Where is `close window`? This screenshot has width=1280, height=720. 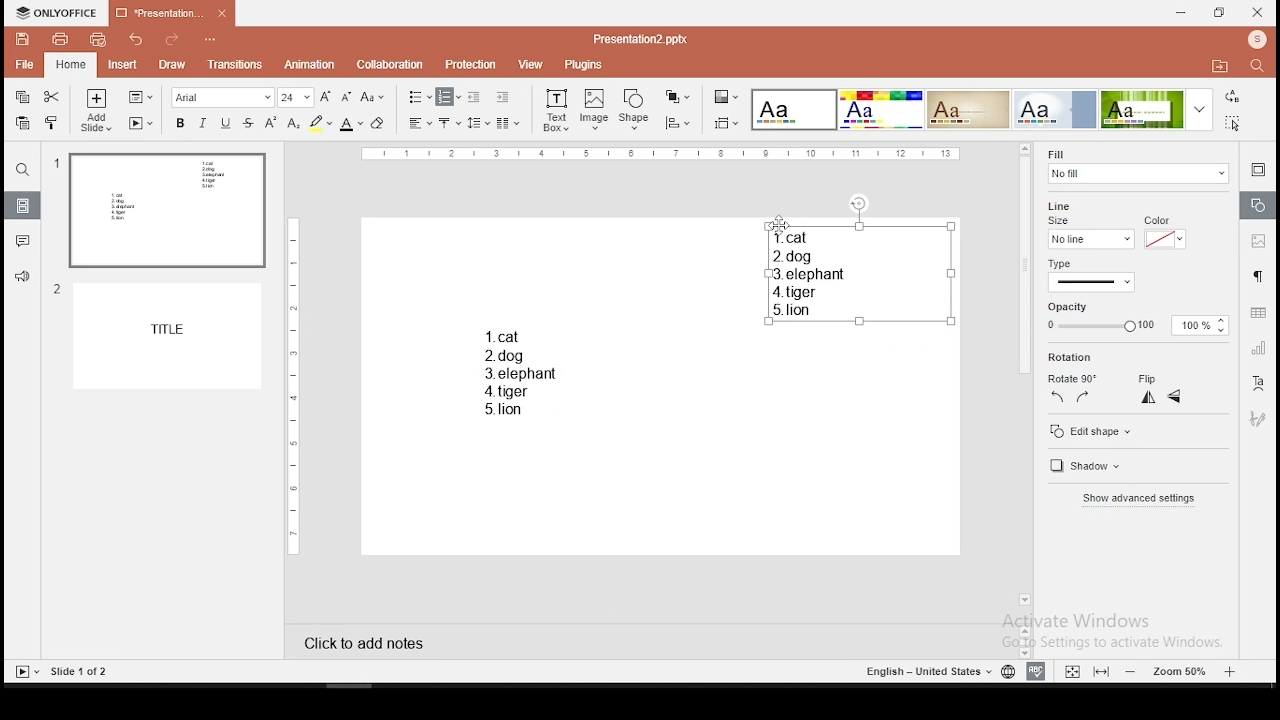 close window is located at coordinates (1258, 12).